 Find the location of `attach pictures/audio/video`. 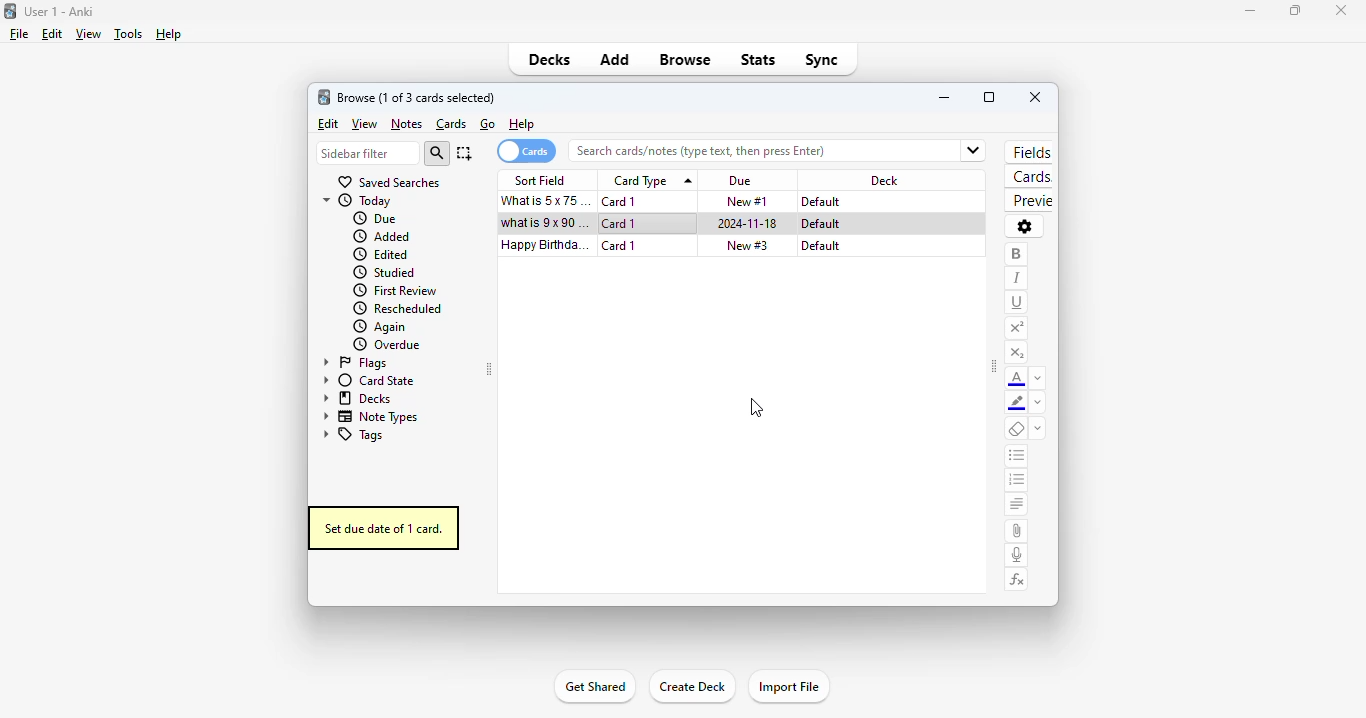

attach pictures/audio/video is located at coordinates (1017, 531).